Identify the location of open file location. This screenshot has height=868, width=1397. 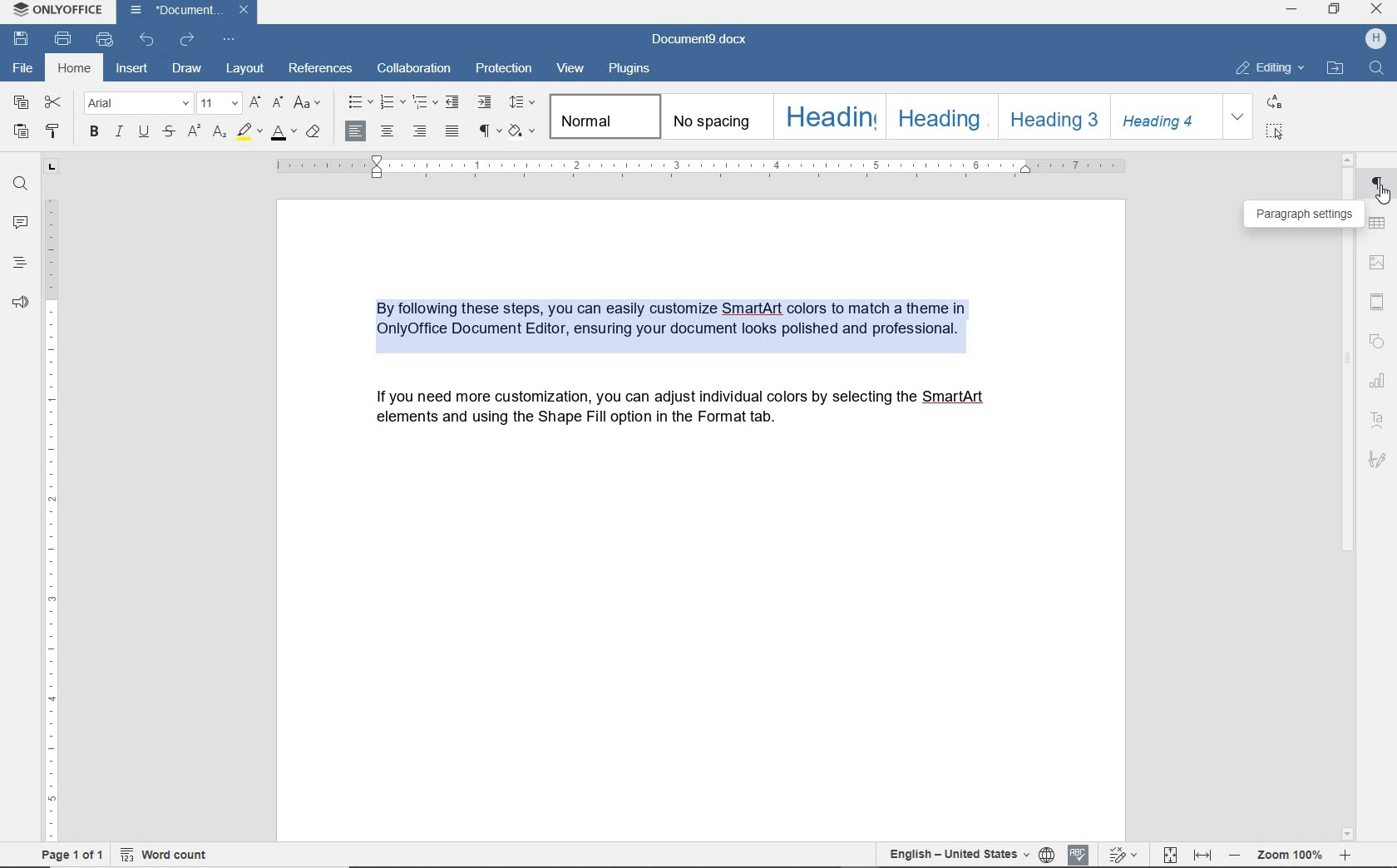
(1335, 69).